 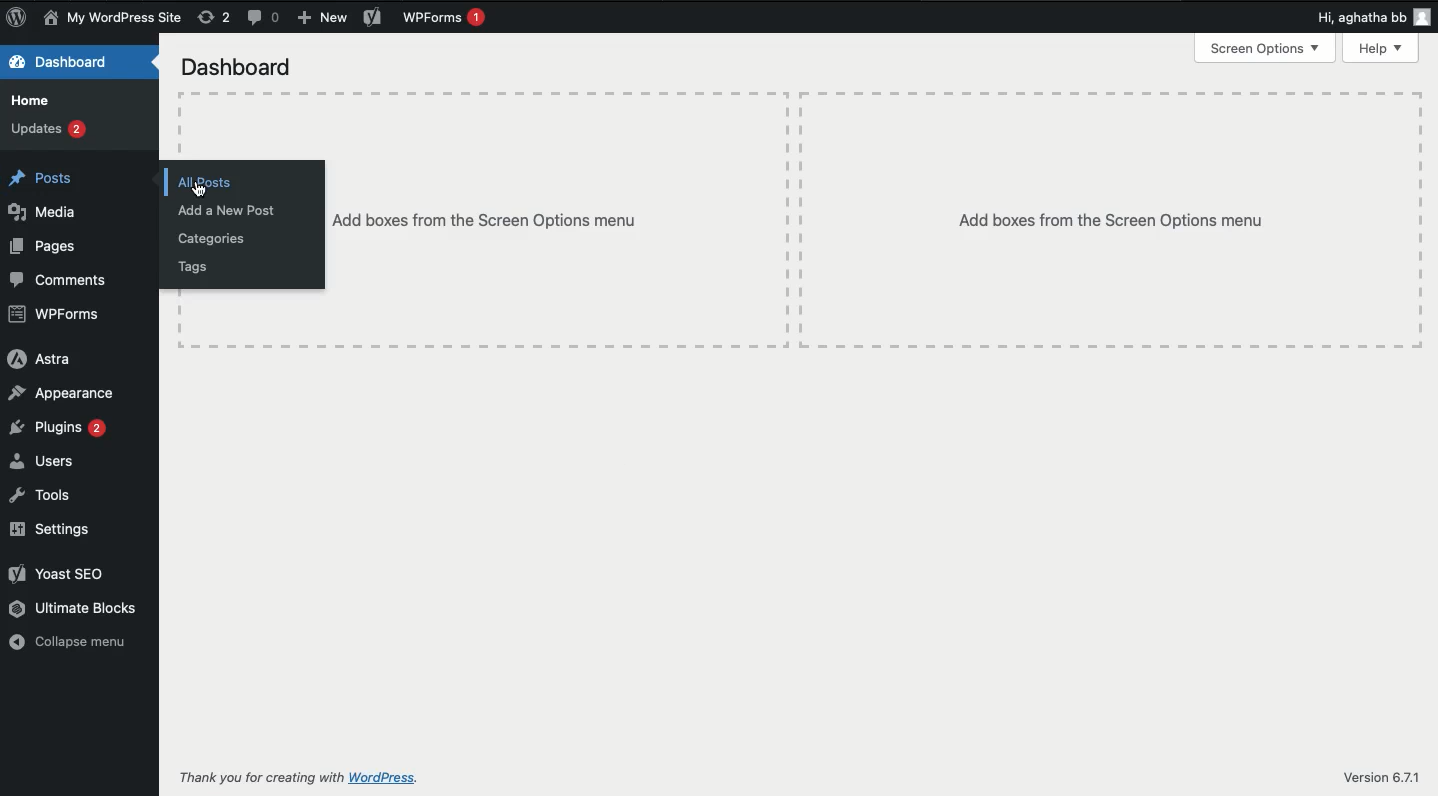 What do you see at coordinates (73, 608) in the screenshot?
I see `Ultimate blocks` at bounding box center [73, 608].